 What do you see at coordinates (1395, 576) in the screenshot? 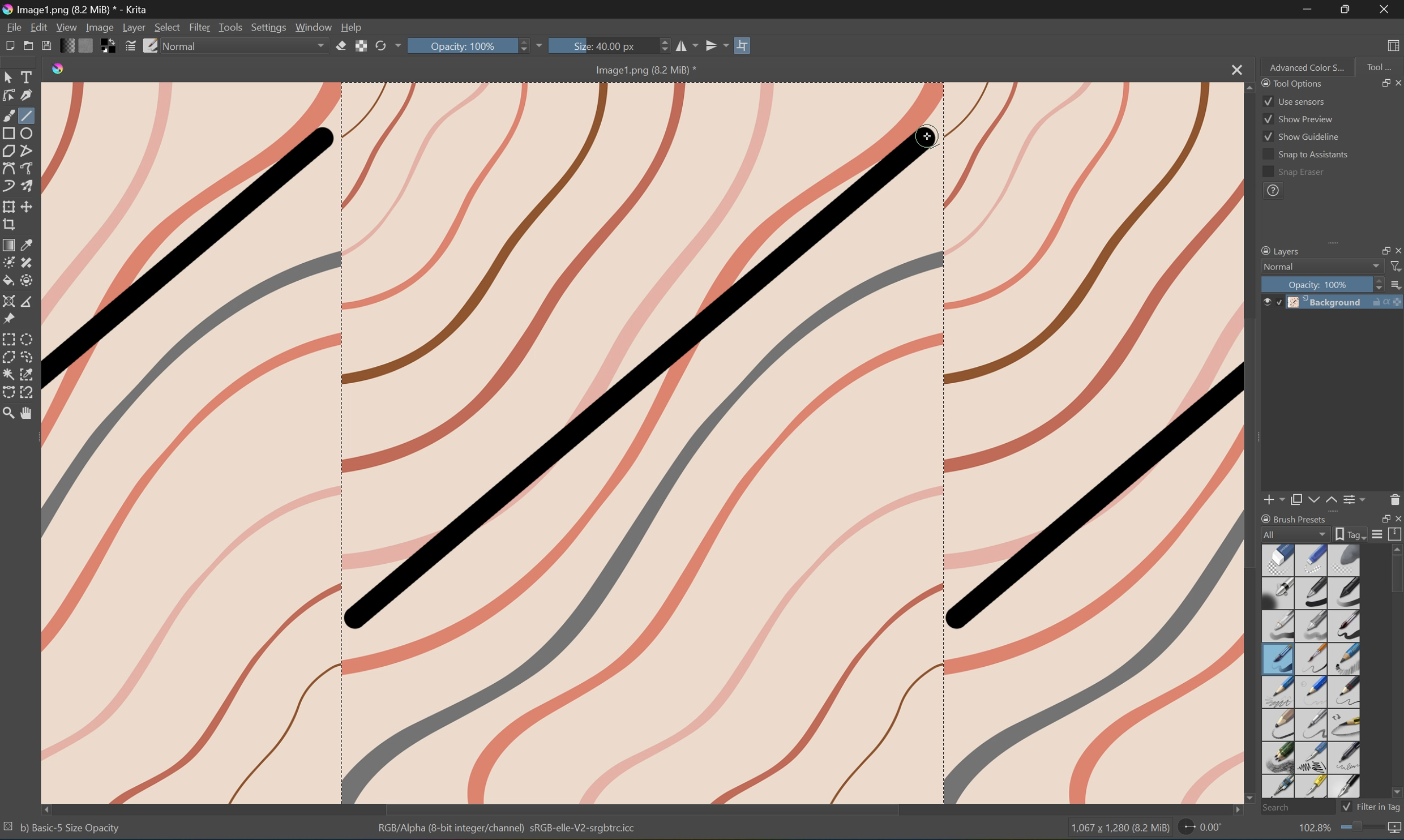
I see `Scroll Bar` at bounding box center [1395, 576].